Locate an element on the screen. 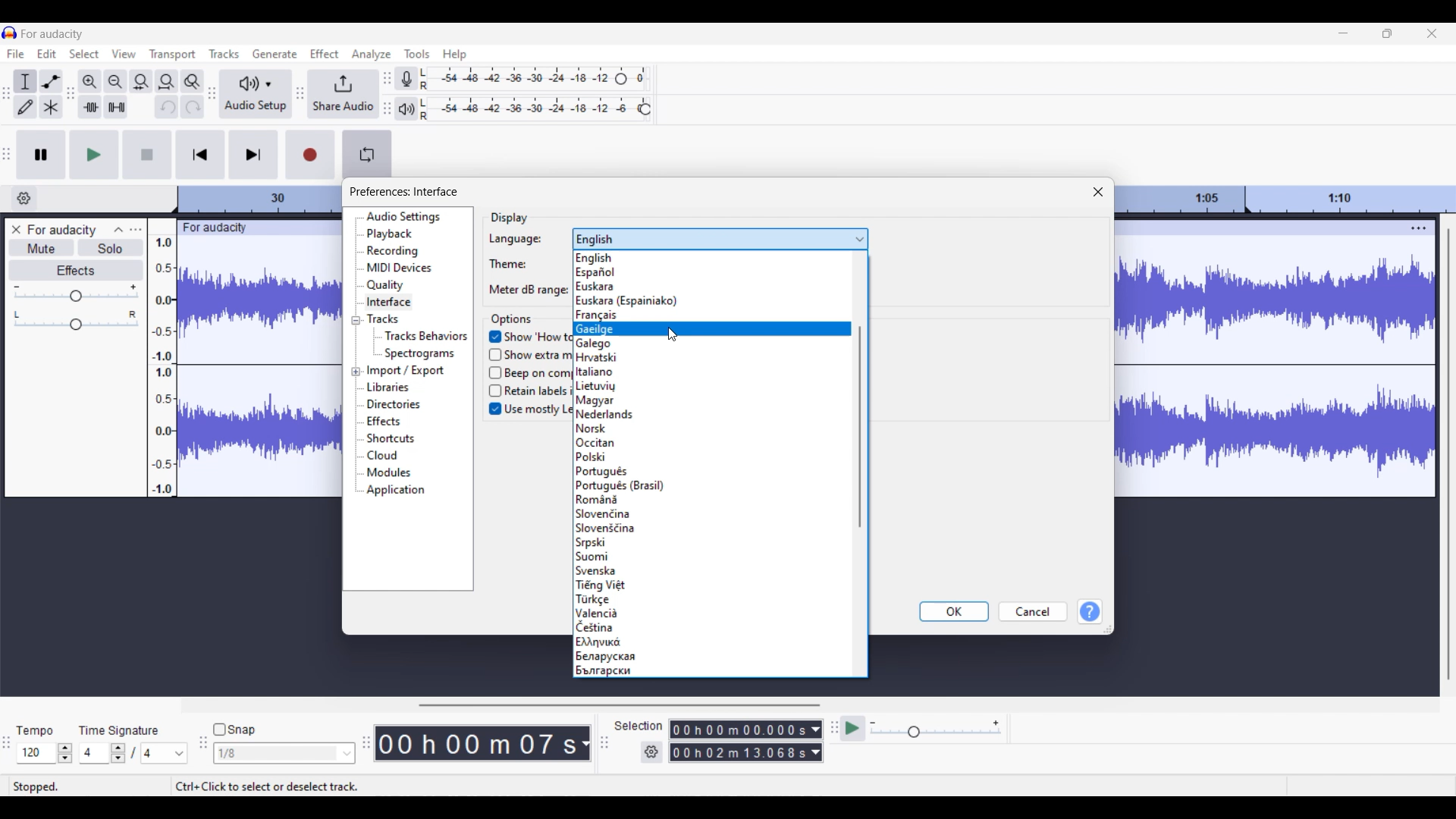 Image resolution: width=1456 pixels, height=819 pixels. Show in smaller tab is located at coordinates (1387, 33).